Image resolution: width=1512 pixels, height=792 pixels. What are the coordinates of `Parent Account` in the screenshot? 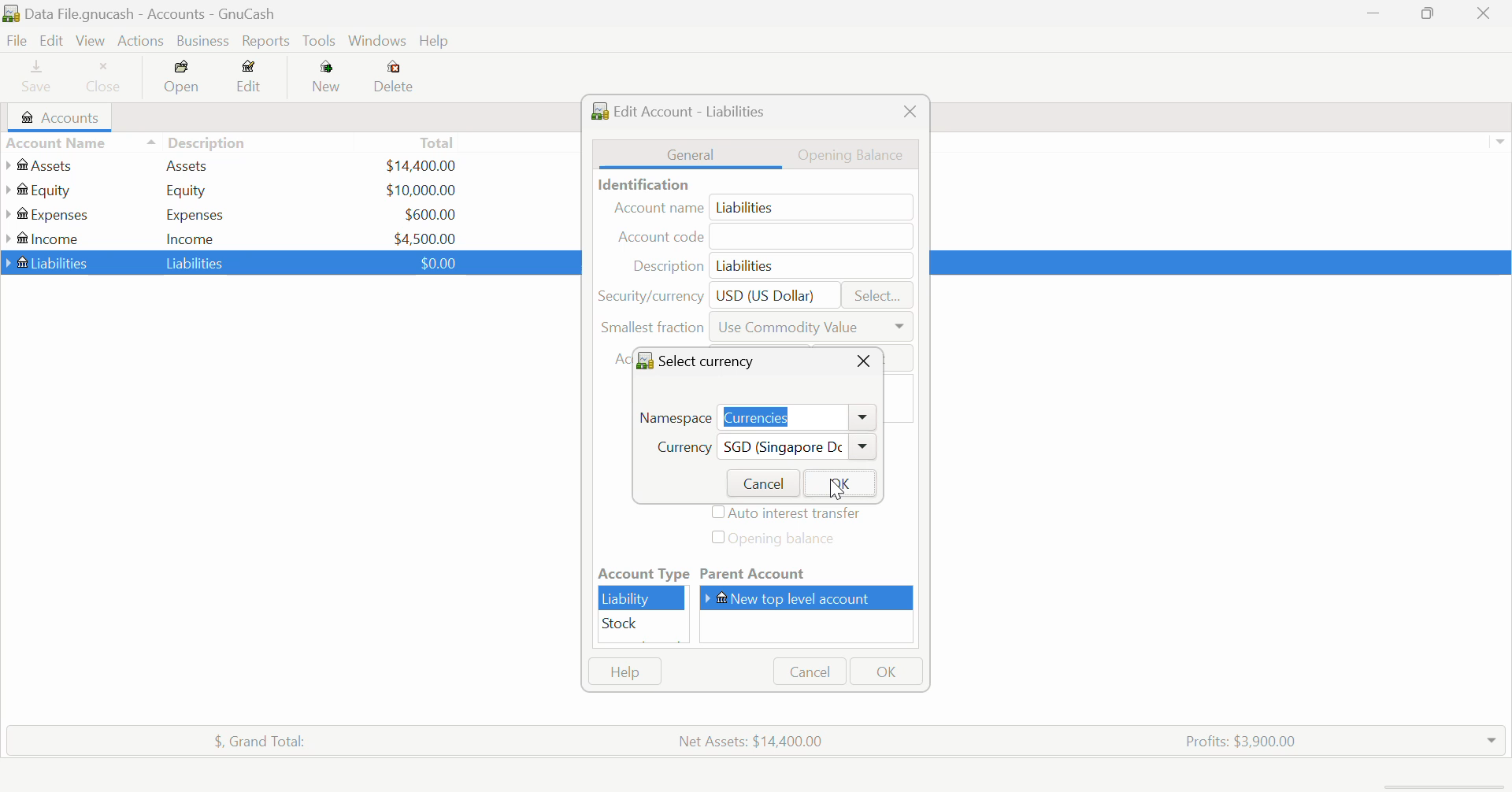 It's located at (809, 575).